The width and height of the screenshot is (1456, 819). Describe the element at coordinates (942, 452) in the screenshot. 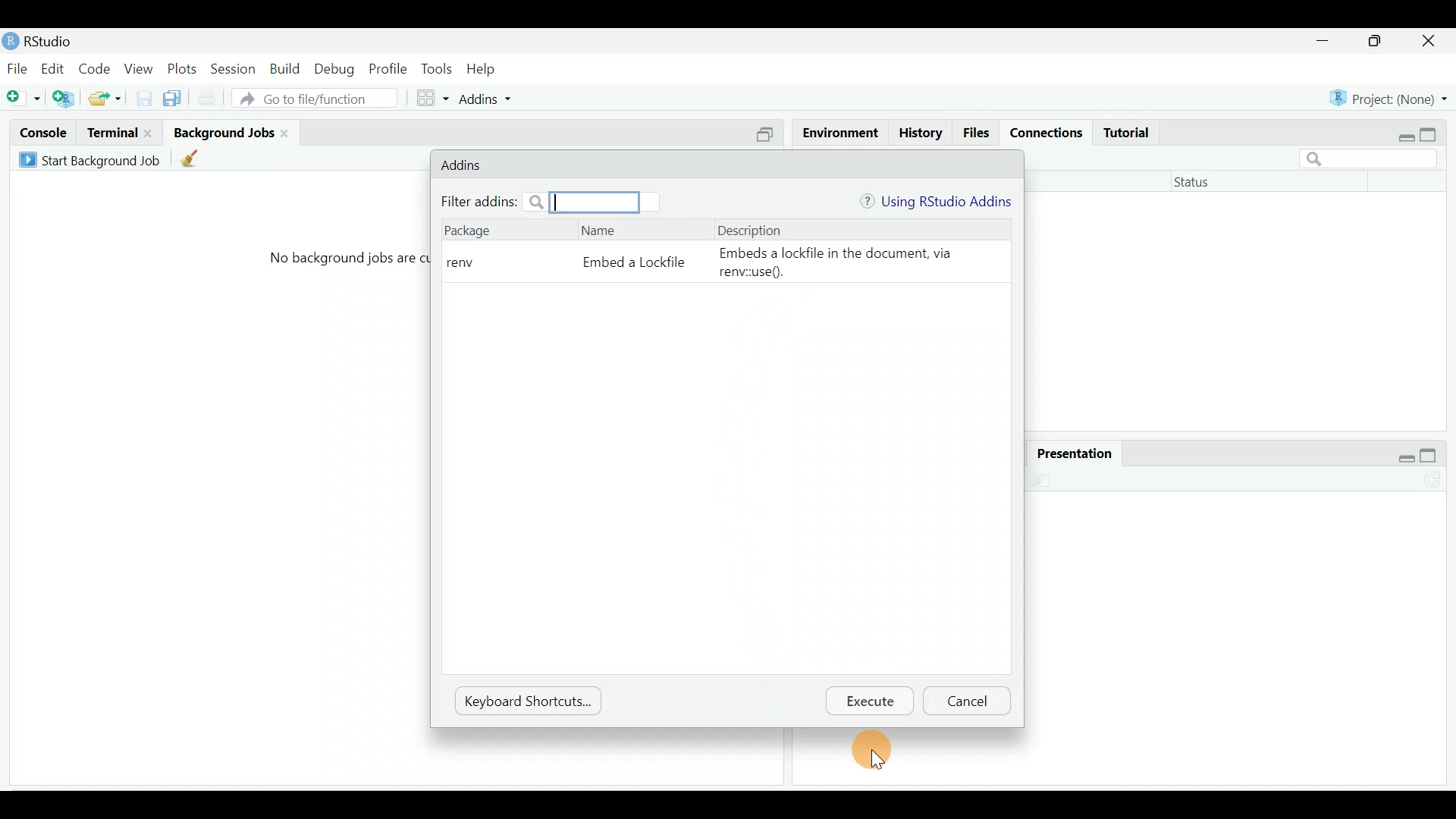

I see `Help` at that location.